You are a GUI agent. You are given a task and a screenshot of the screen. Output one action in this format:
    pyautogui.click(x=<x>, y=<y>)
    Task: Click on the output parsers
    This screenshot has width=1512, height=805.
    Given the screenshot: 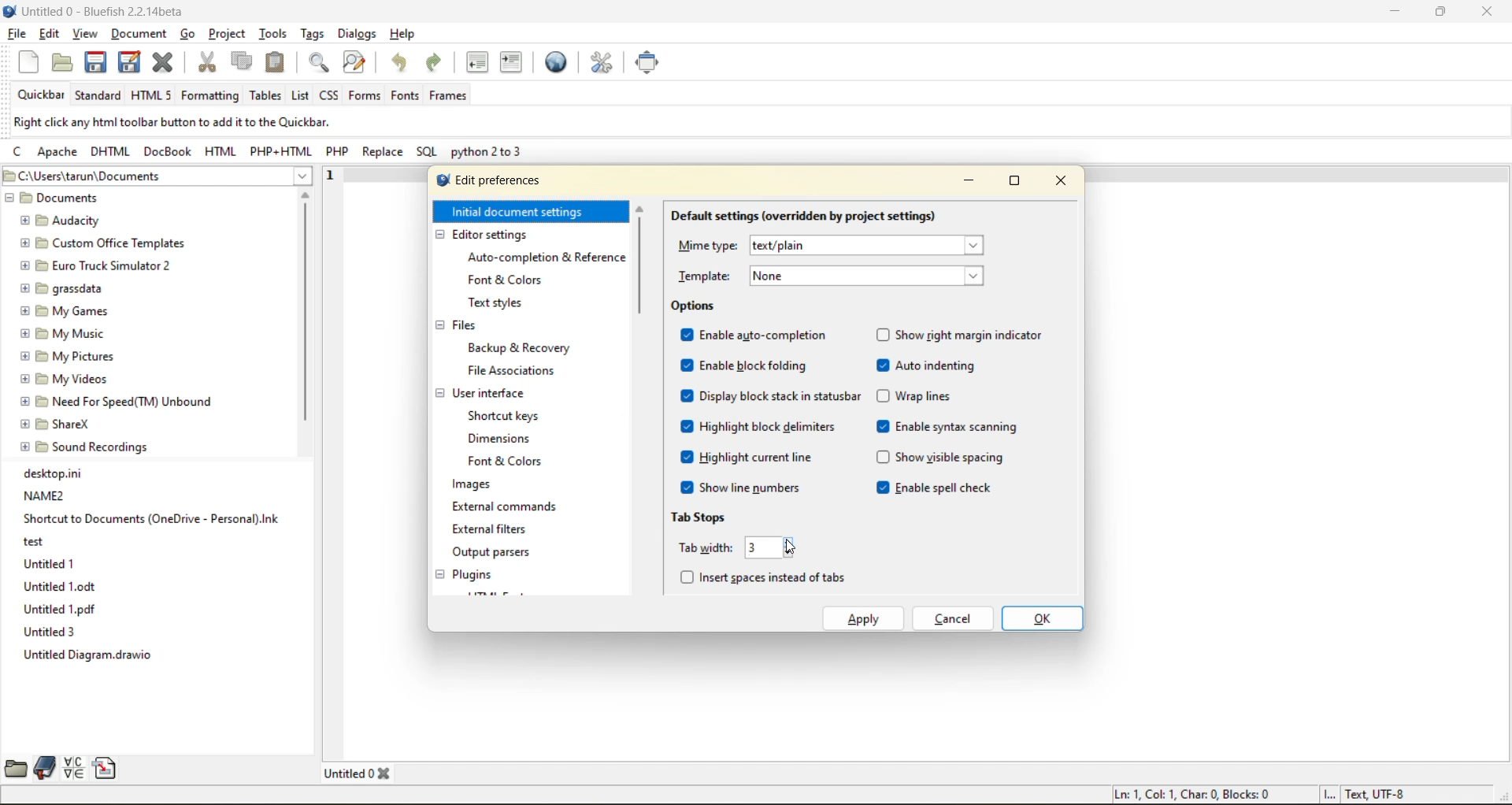 What is the action you would take?
    pyautogui.click(x=502, y=554)
    